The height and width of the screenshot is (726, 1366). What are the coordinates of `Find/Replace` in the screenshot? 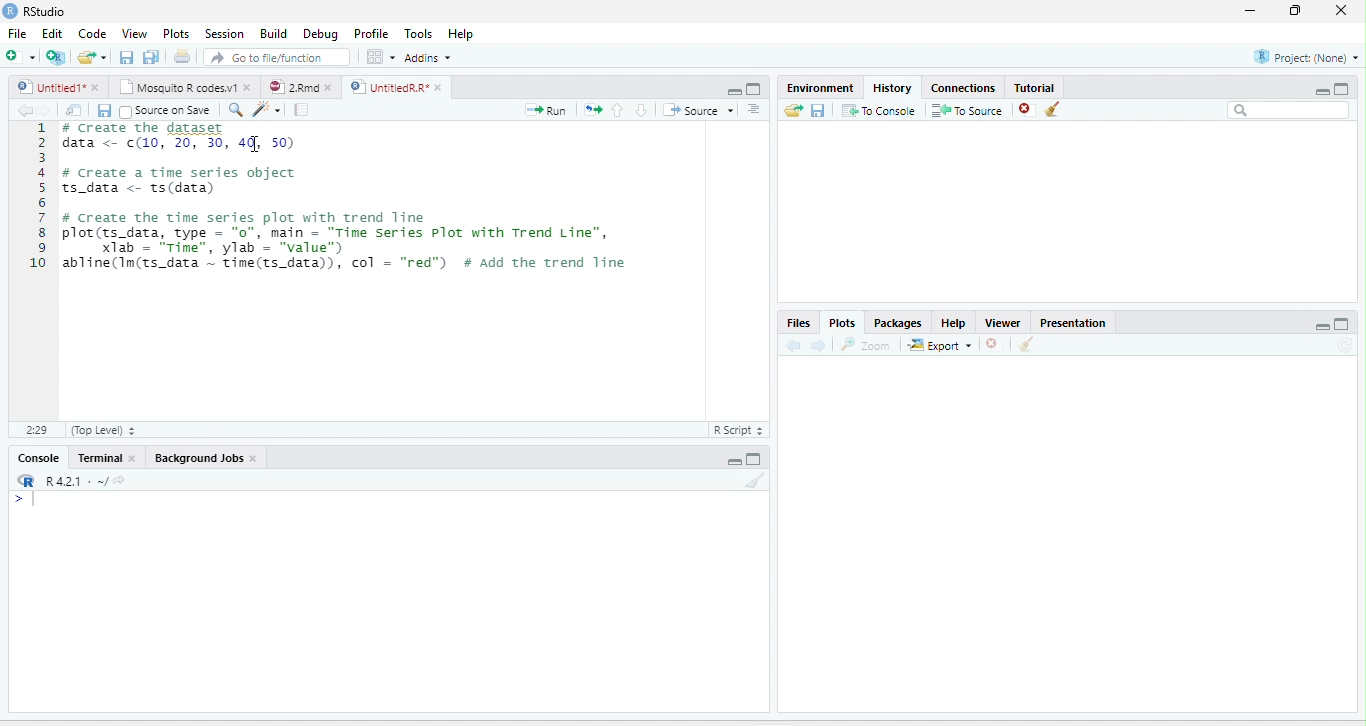 It's located at (236, 110).